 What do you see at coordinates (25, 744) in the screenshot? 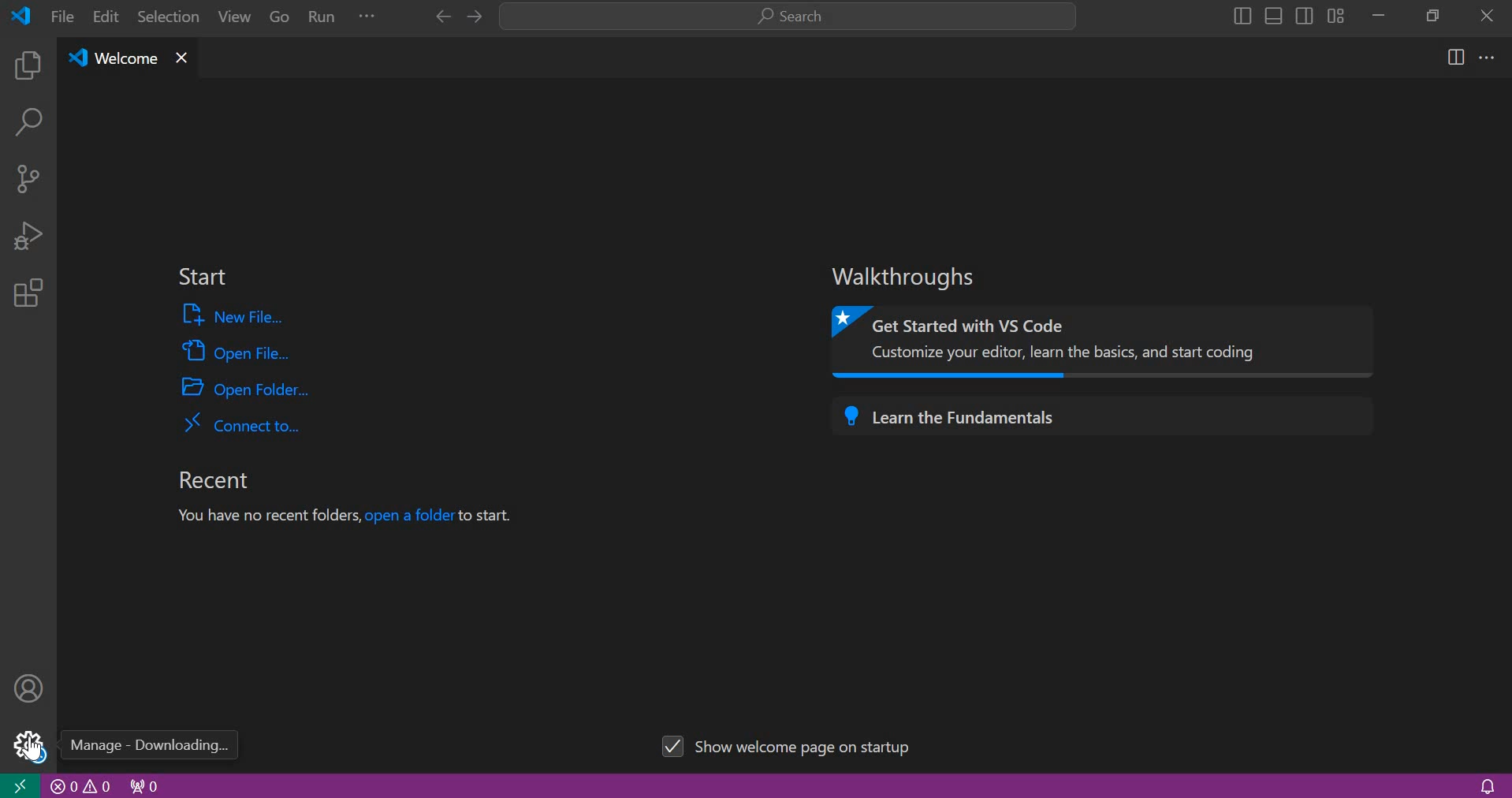
I see `manage` at bounding box center [25, 744].